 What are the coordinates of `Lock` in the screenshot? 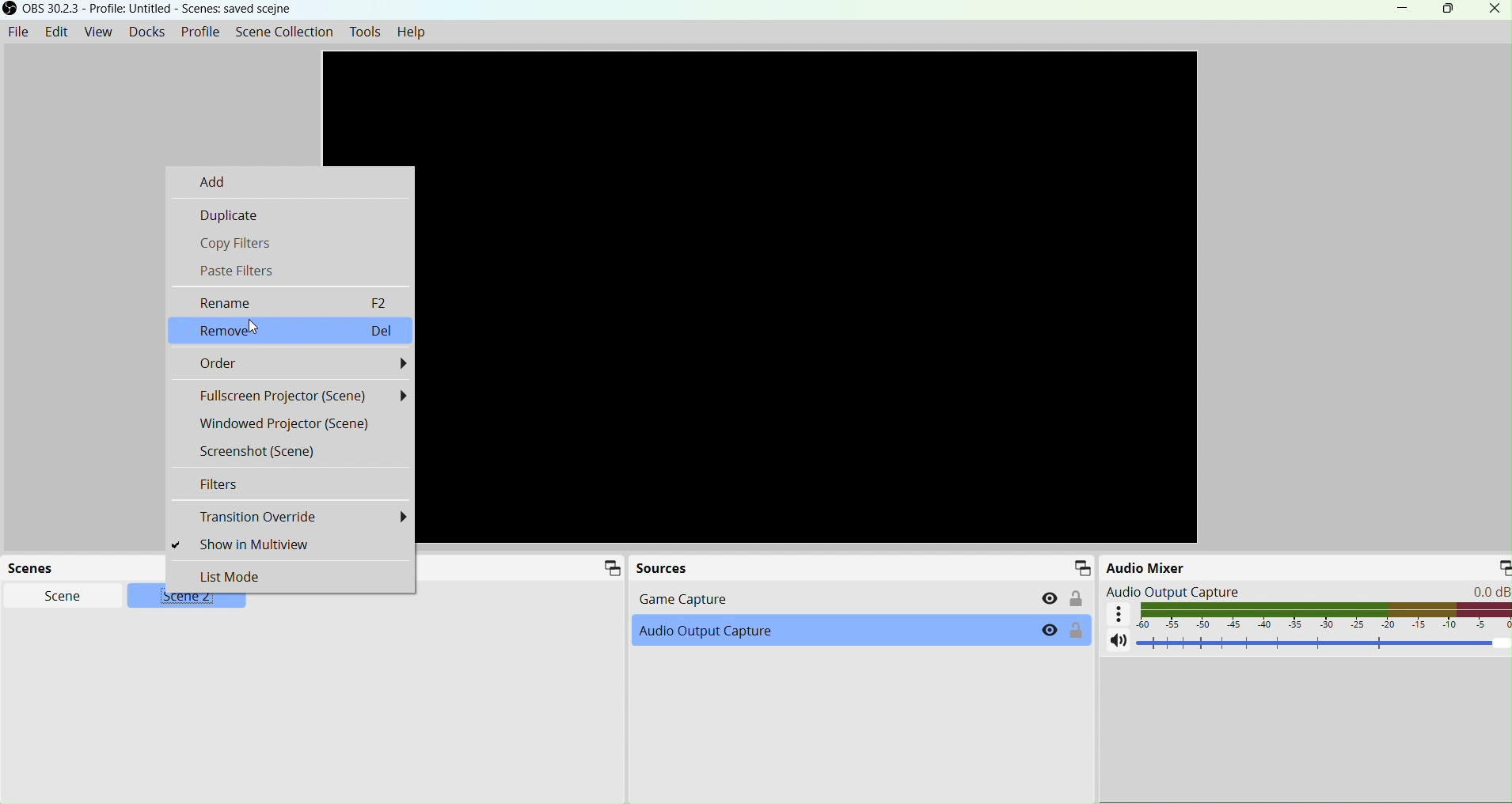 It's located at (1077, 599).